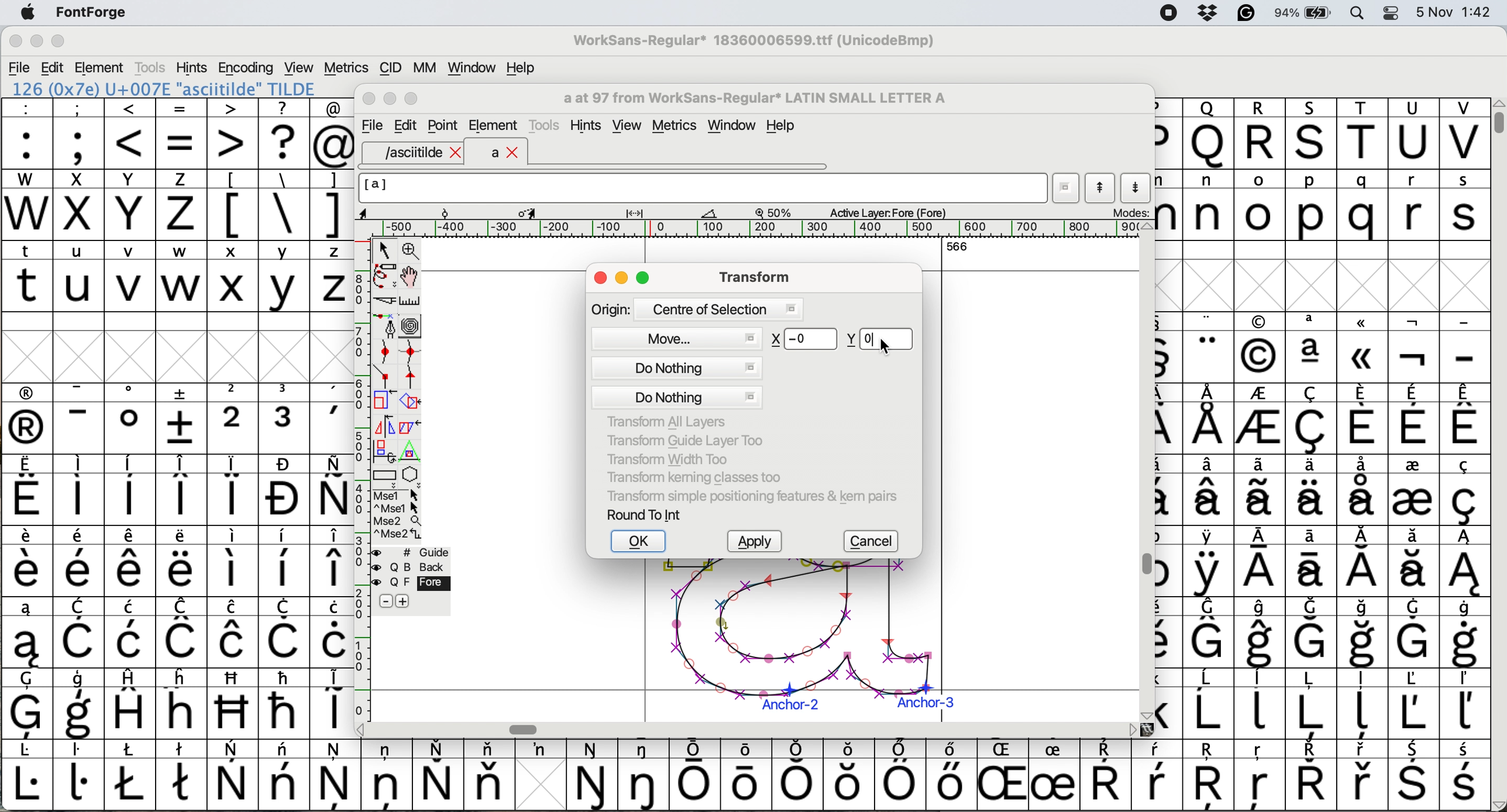 The image size is (1507, 812). What do you see at coordinates (1312, 562) in the screenshot?
I see `symbol` at bounding box center [1312, 562].